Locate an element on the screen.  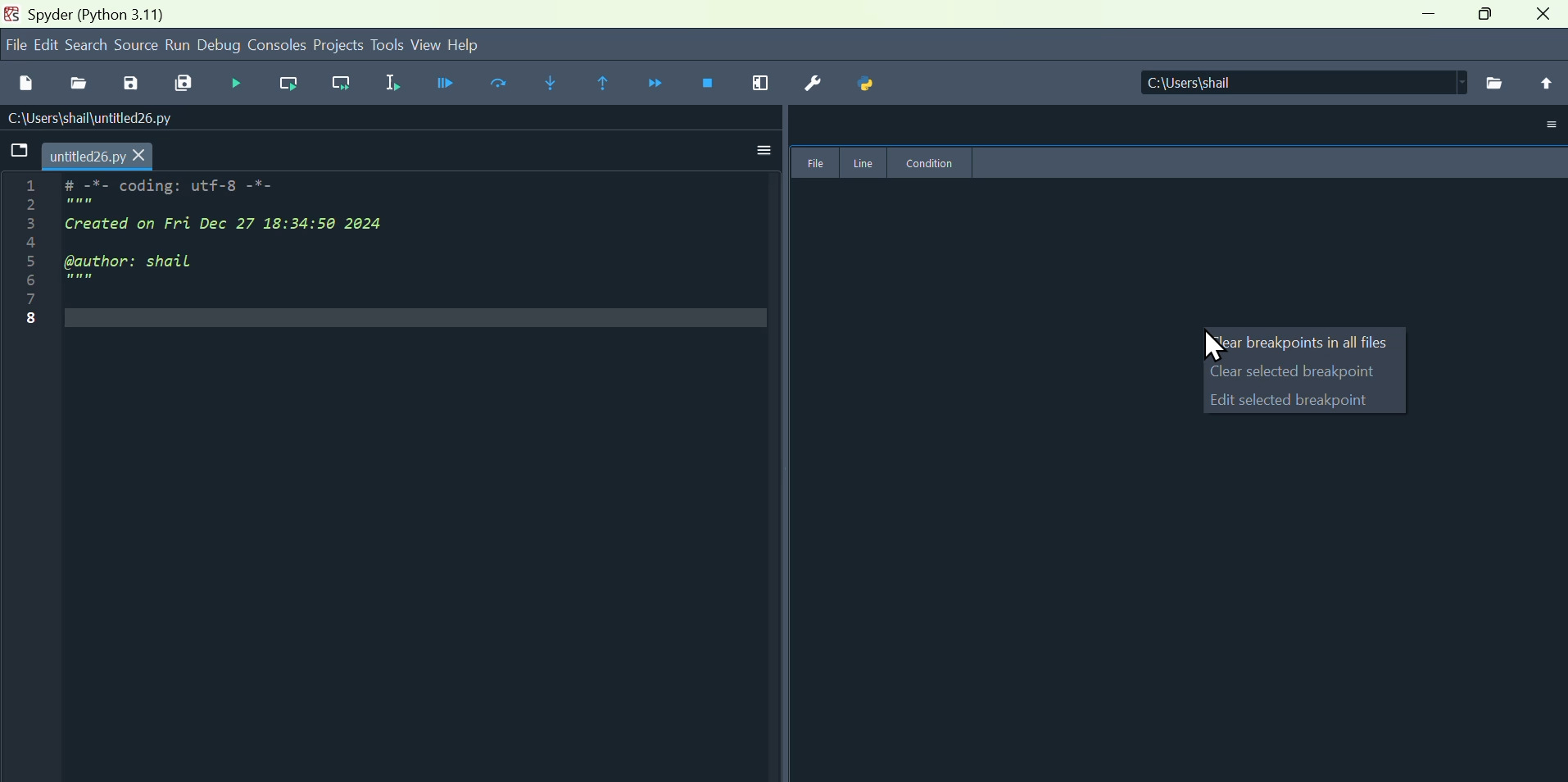
Close is located at coordinates (1545, 16).